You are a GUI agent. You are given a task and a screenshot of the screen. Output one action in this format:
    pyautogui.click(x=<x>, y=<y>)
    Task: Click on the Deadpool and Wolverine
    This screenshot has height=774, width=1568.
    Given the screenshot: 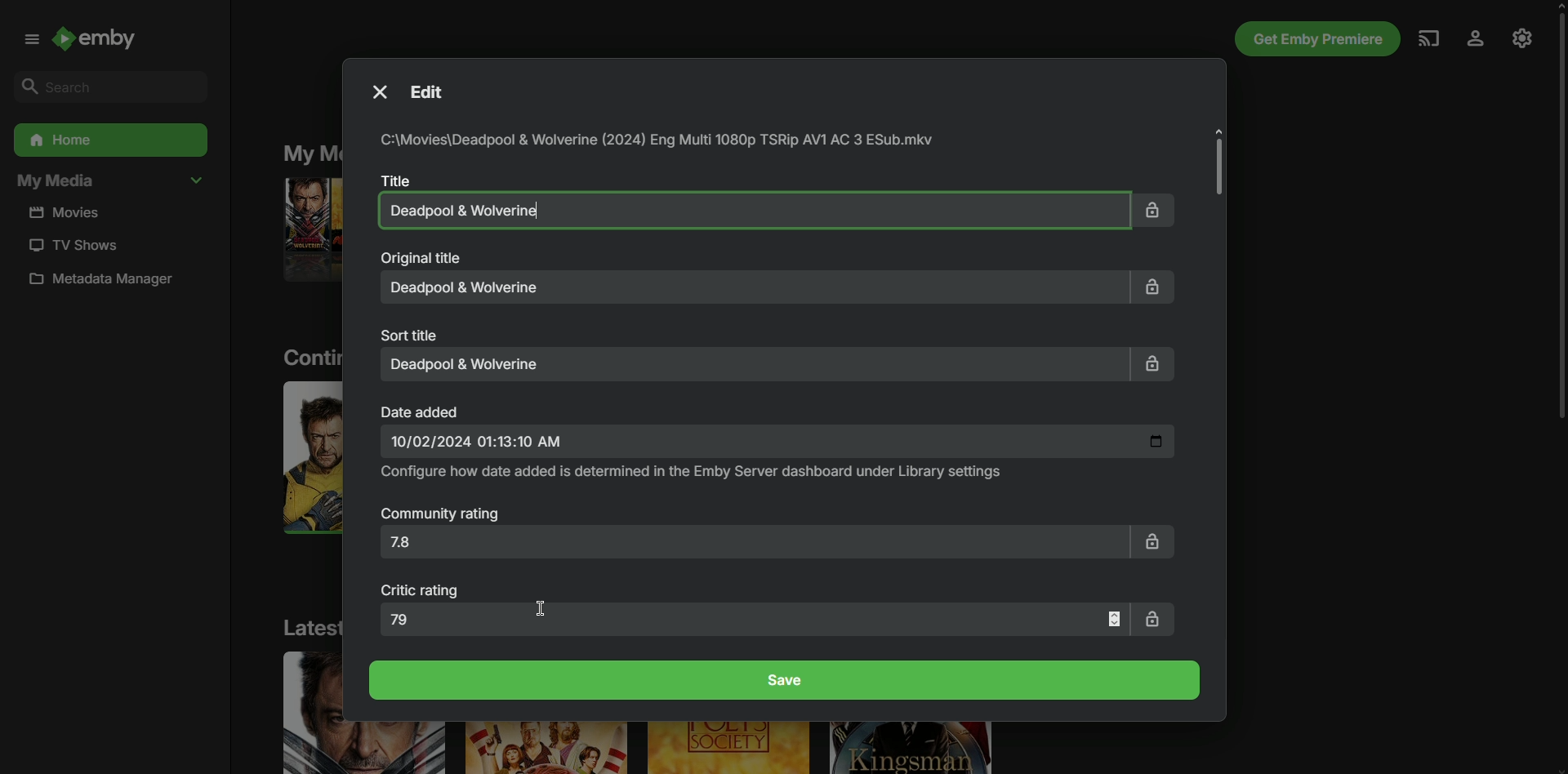 What is the action you would take?
    pyautogui.click(x=747, y=210)
    